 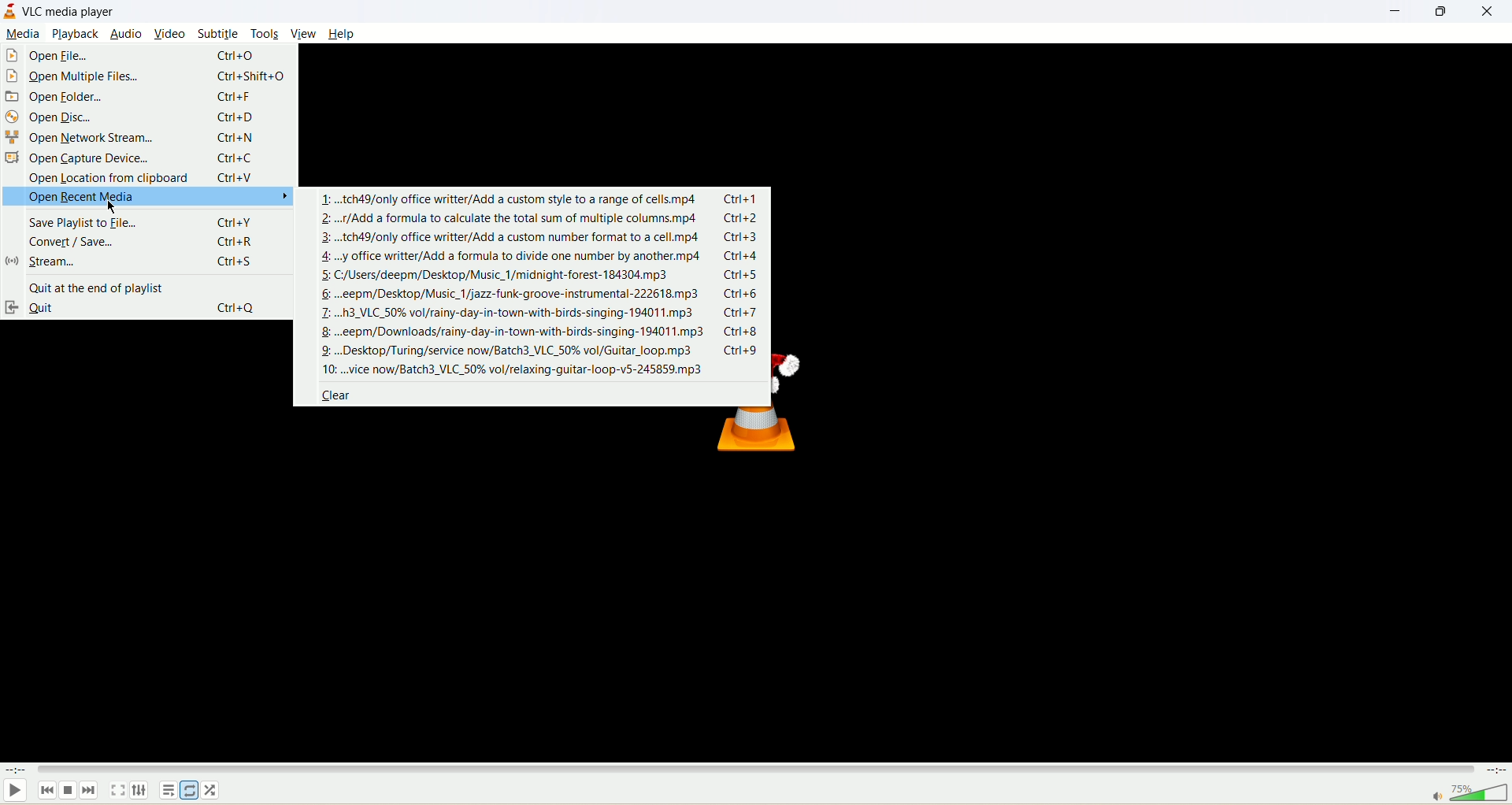 I want to click on previous, so click(x=45, y=792).